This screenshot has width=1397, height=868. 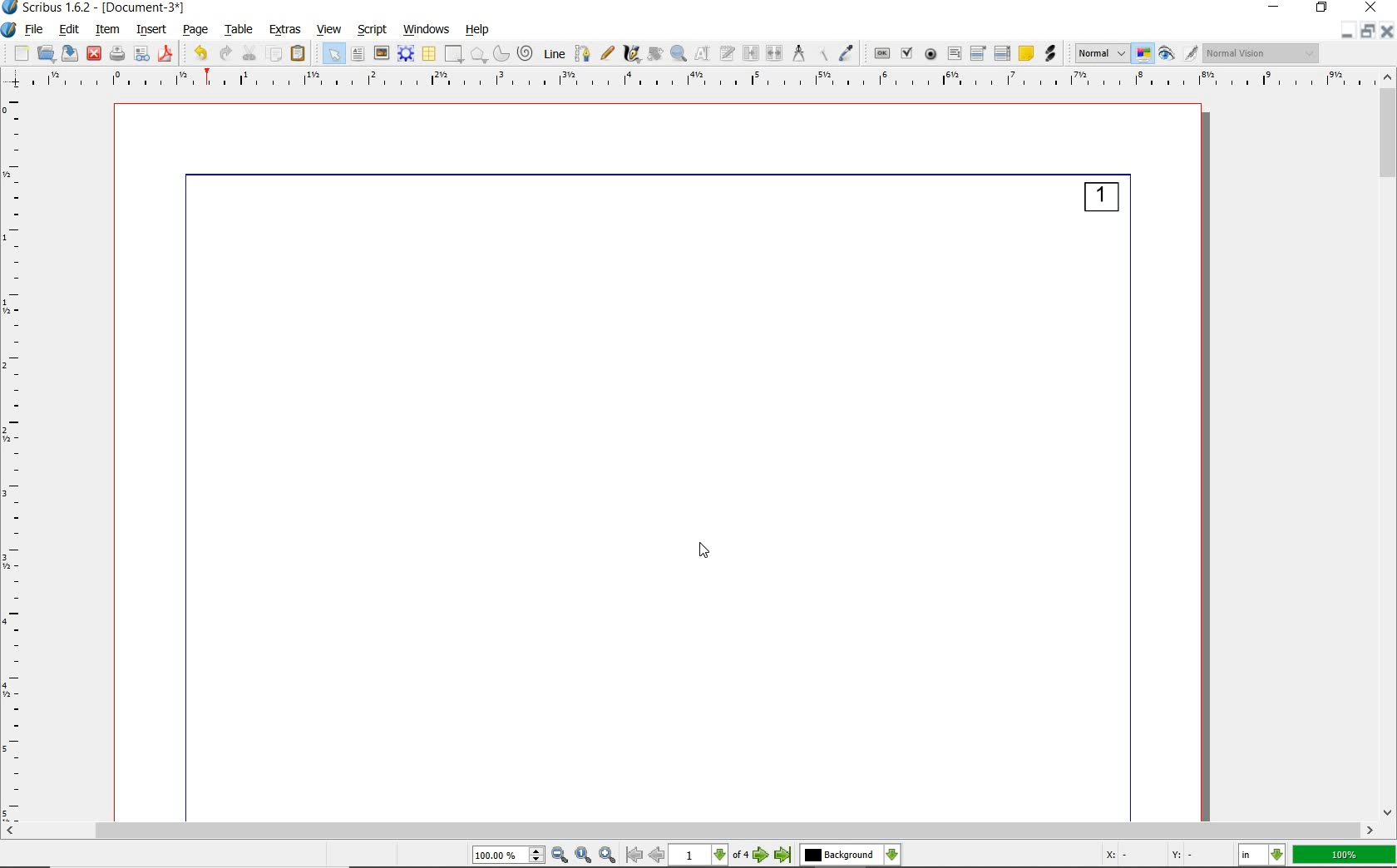 I want to click on select, so click(x=333, y=53).